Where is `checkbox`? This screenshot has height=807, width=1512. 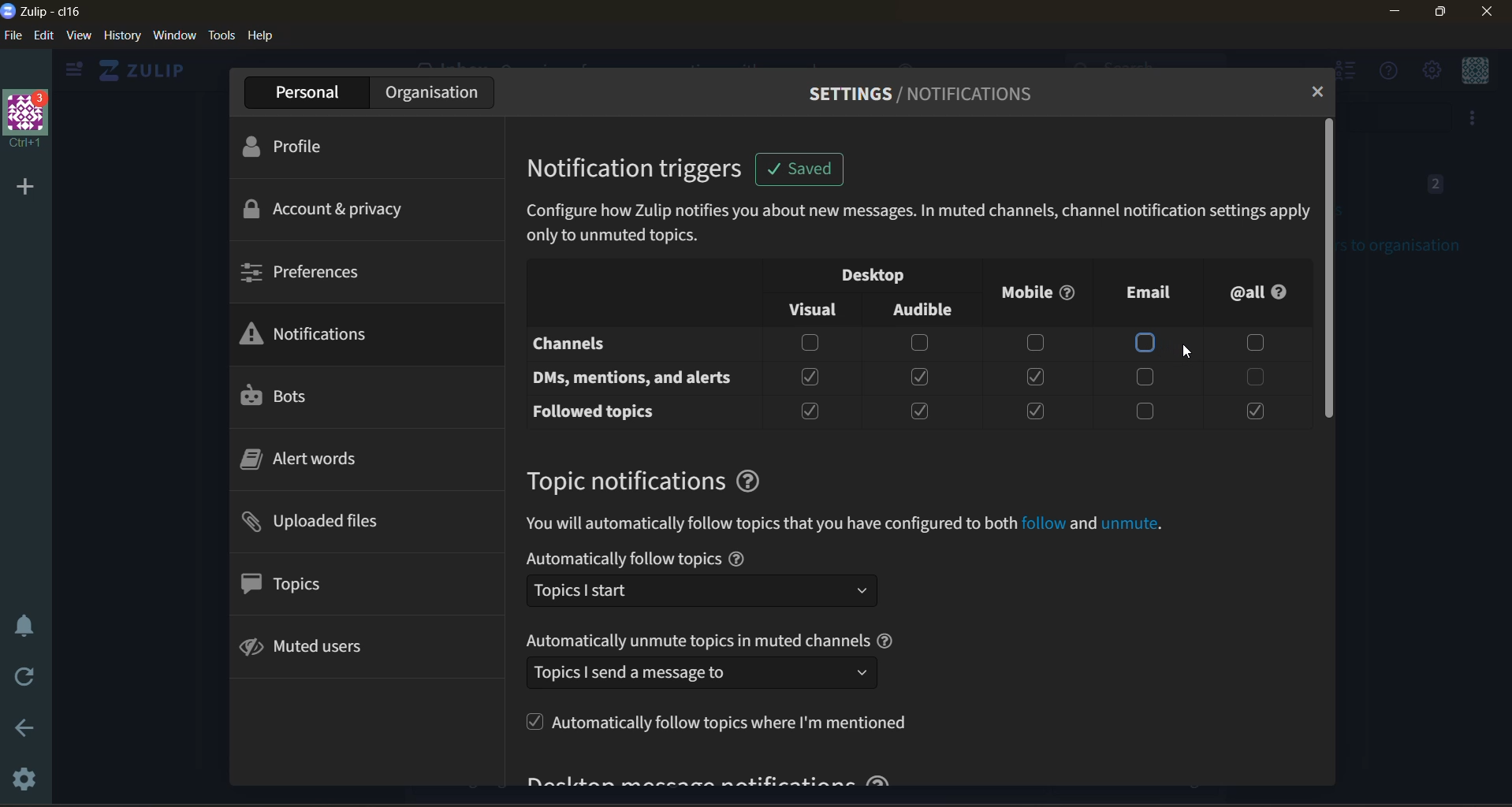
checkbox is located at coordinates (1145, 377).